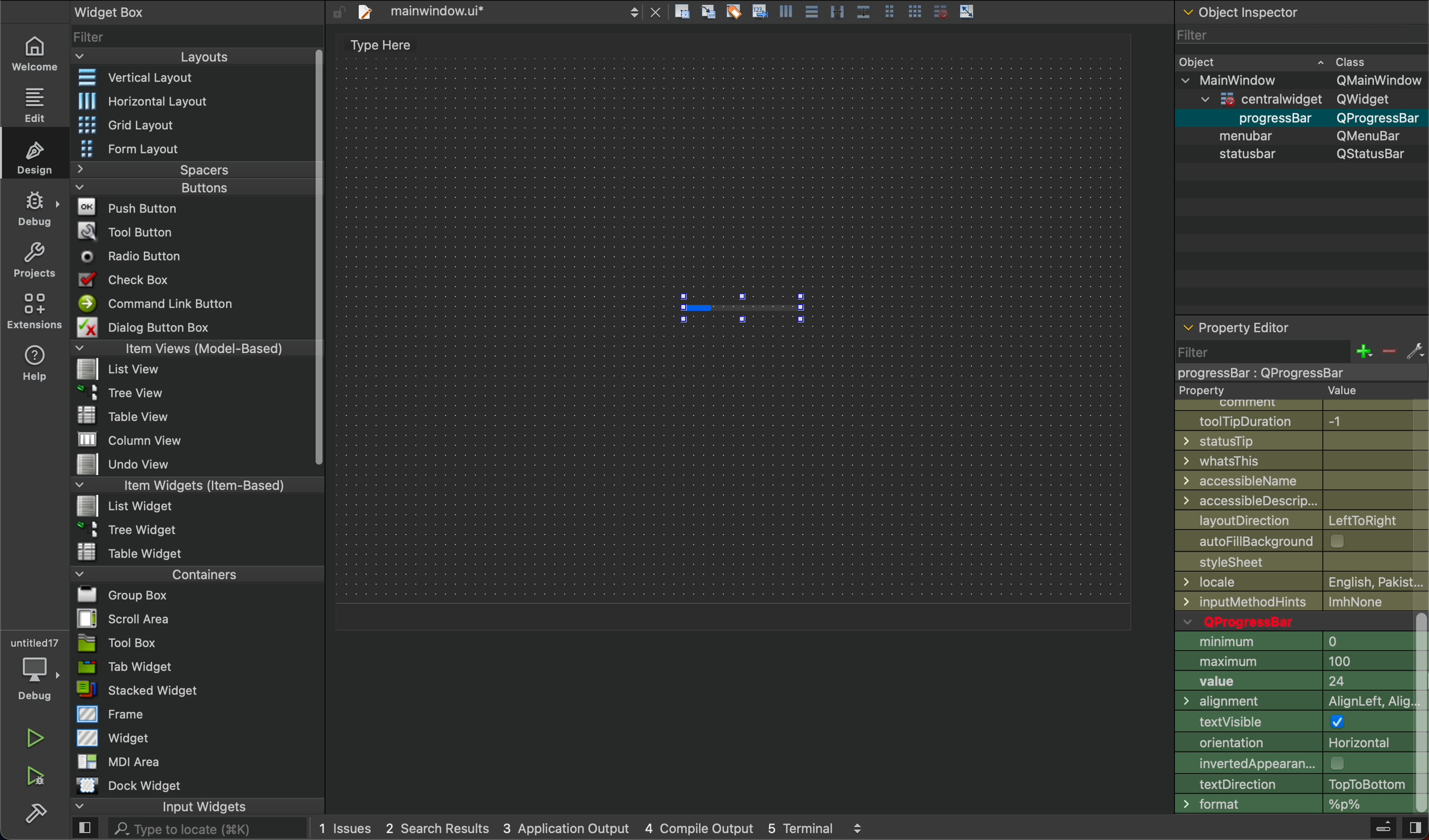 Image resolution: width=1429 pixels, height=840 pixels. I want to click on Spacer, so click(177, 169).